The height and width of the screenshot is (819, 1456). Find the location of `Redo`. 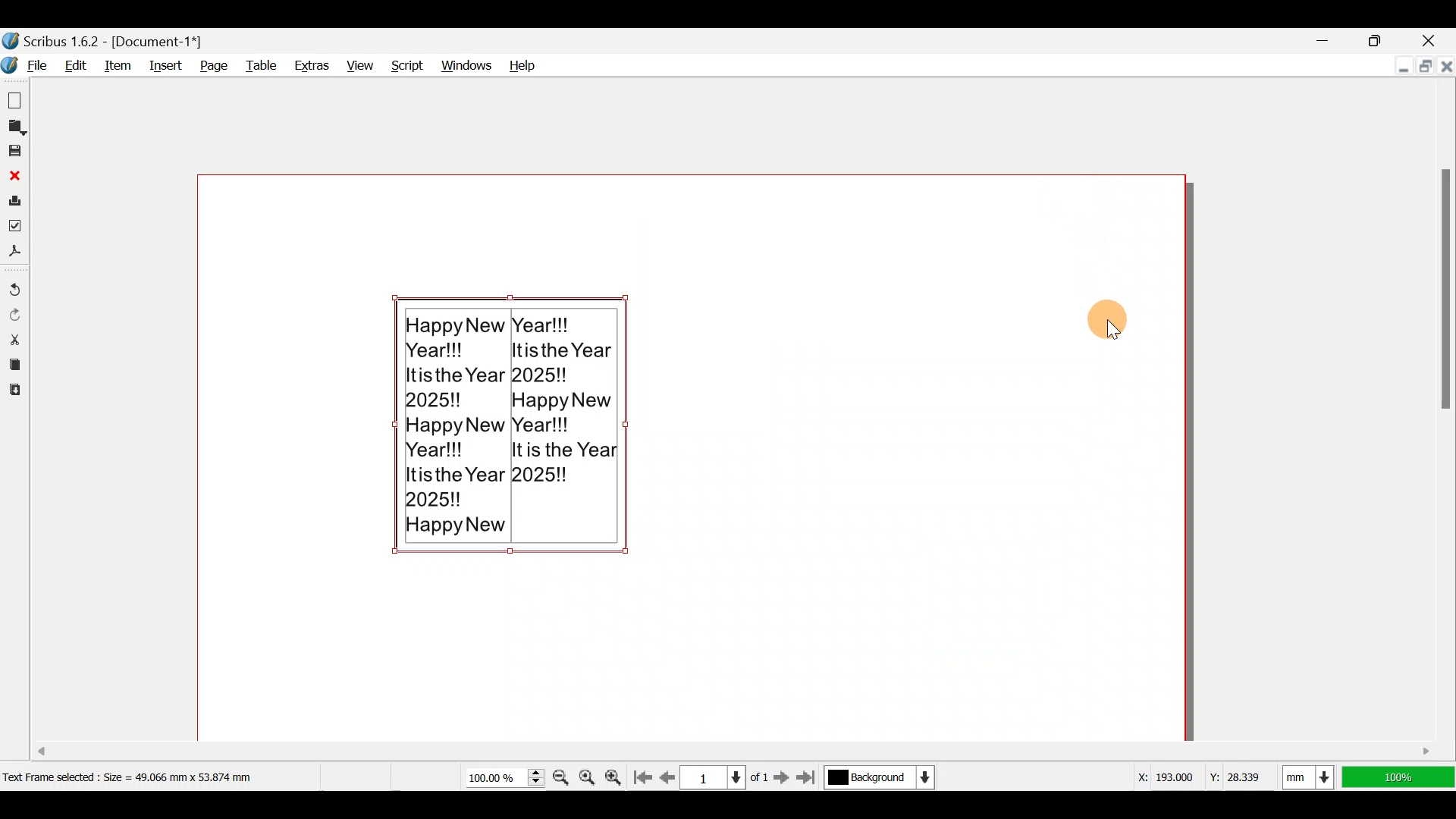

Redo is located at coordinates (15, 313).